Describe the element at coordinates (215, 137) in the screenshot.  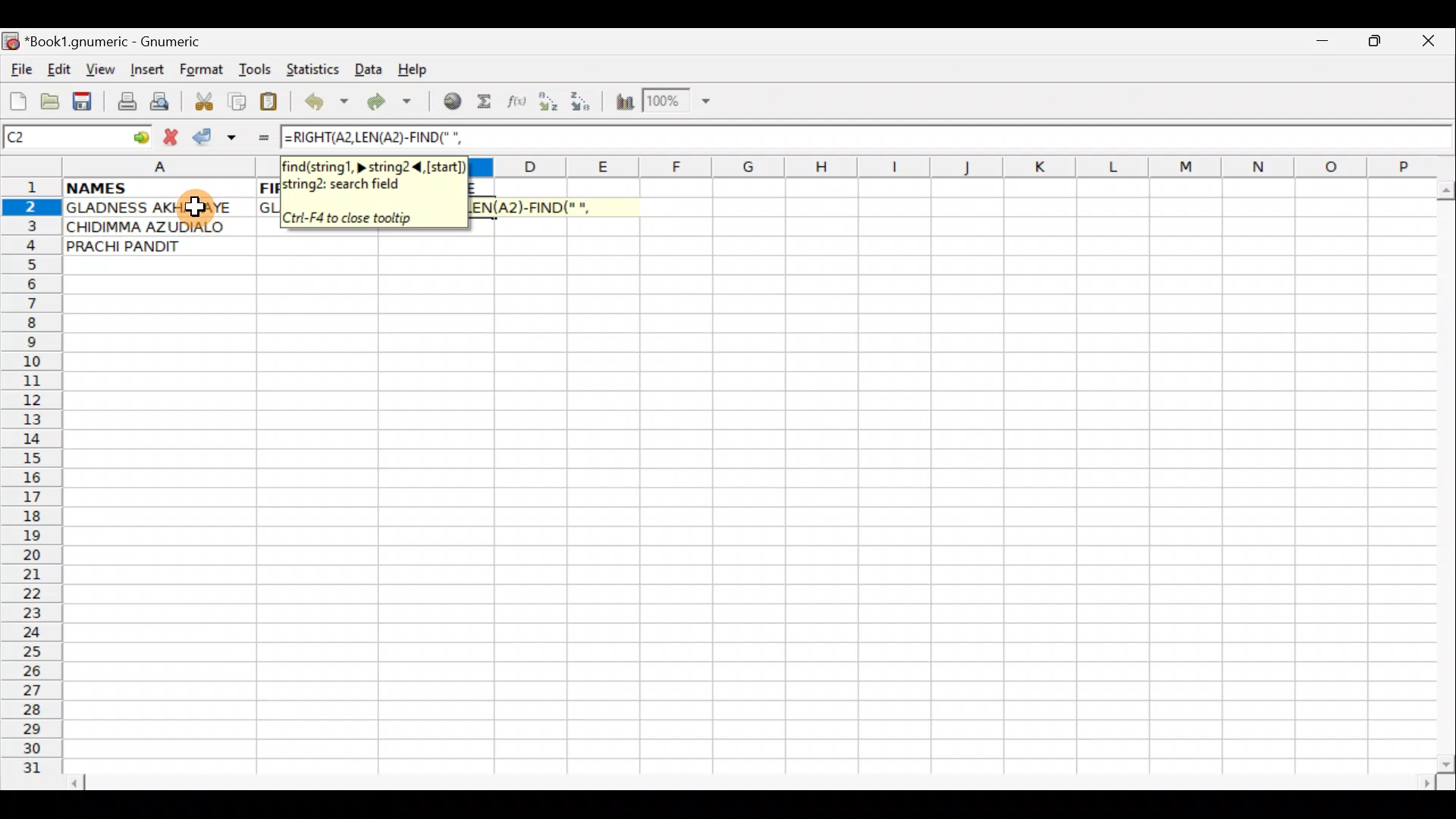
I see `Accept change` at that location.